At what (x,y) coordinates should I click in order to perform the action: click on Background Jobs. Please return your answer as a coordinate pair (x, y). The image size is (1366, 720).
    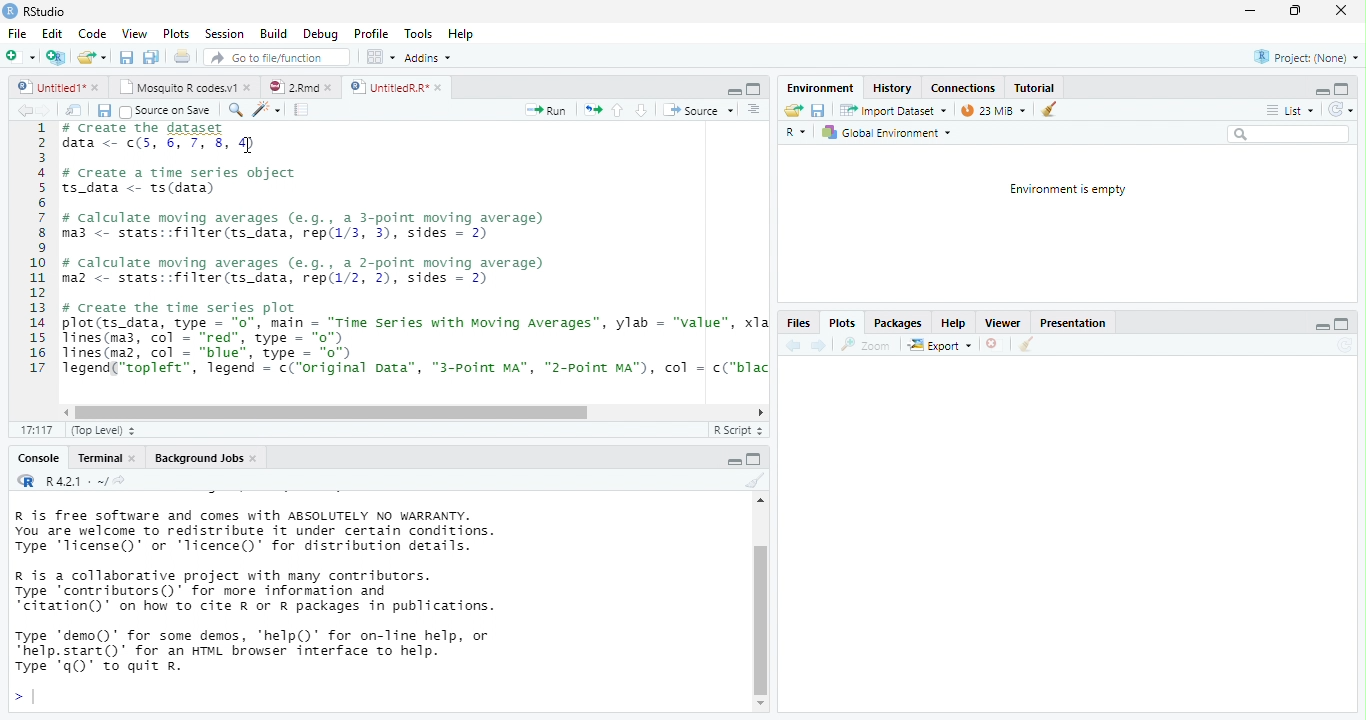
    Looking at the image, I should click on (197, 458).